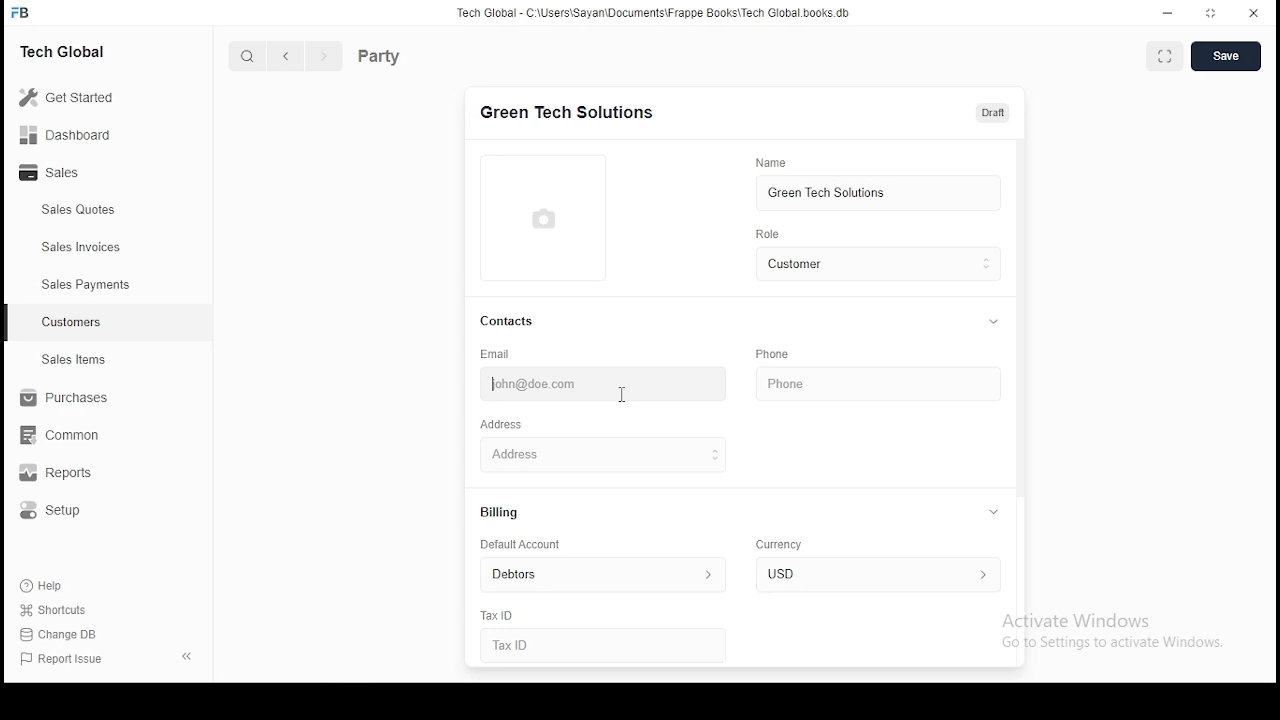 The height and width of the screenshot is (720, 1280). I want to click on change DB, so click(61, 633).